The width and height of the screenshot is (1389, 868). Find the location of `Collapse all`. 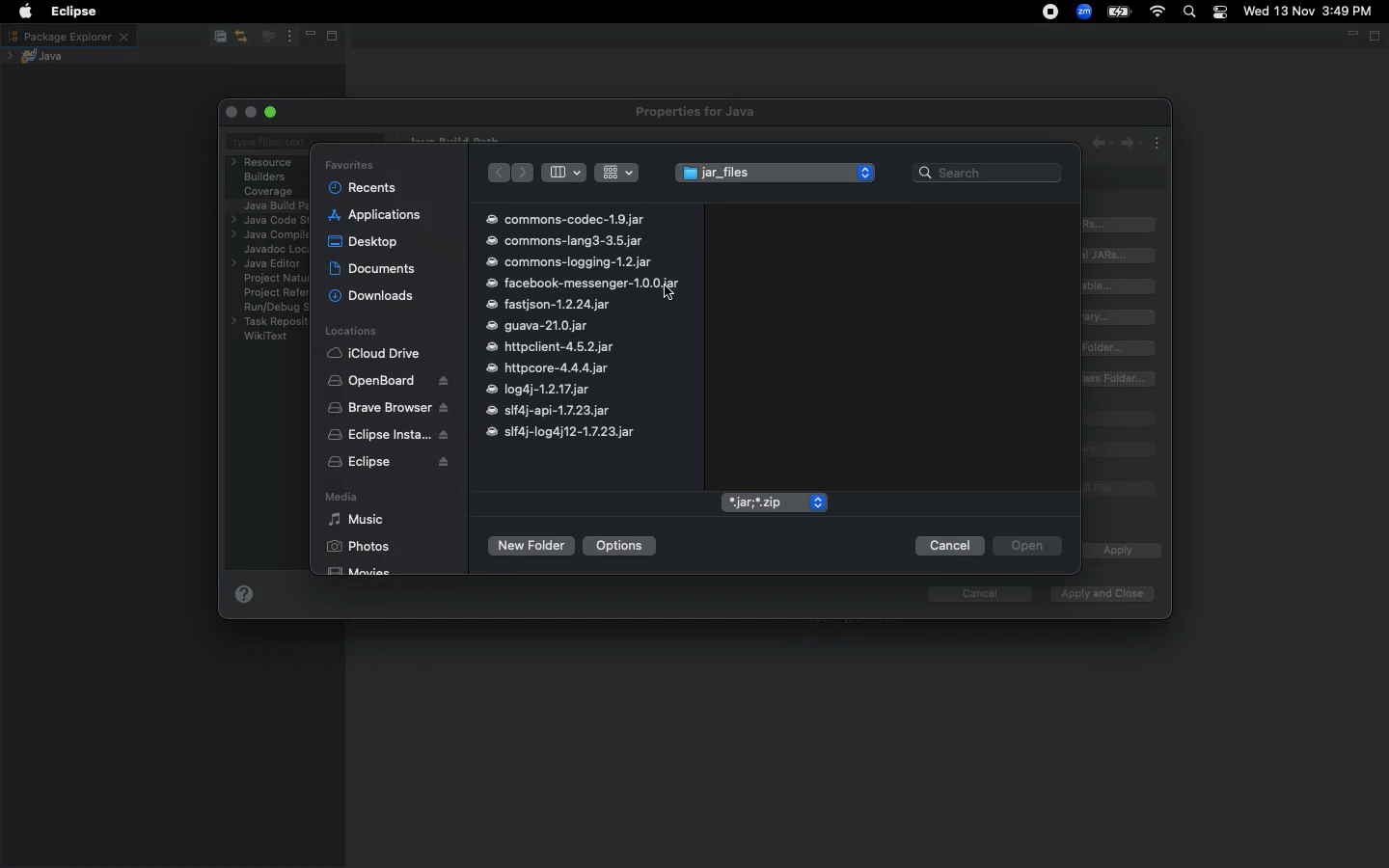

Collapse all is located at coordinates (218, 38).